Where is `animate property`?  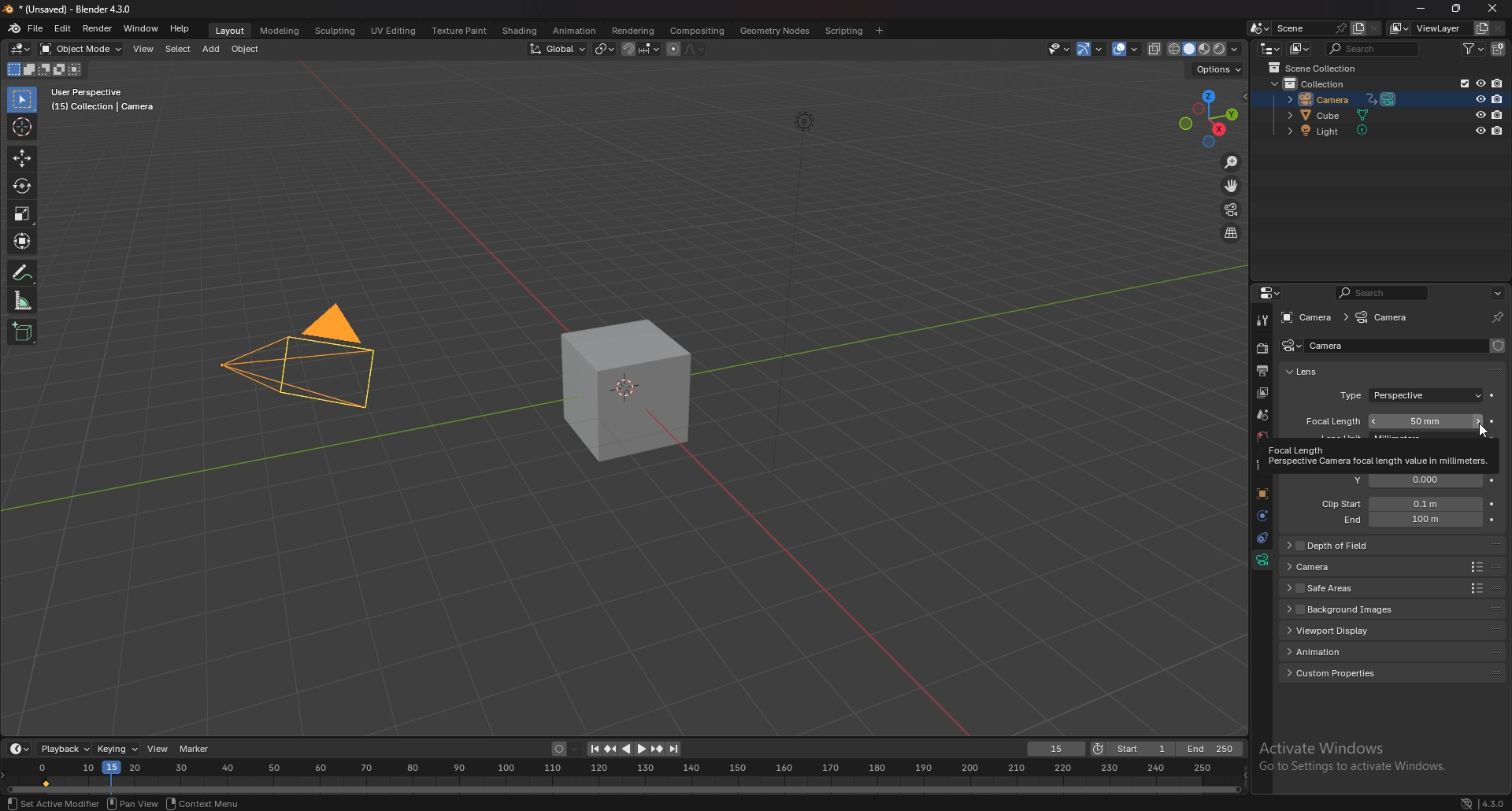
animate property is located at coordinates (1494, 396).